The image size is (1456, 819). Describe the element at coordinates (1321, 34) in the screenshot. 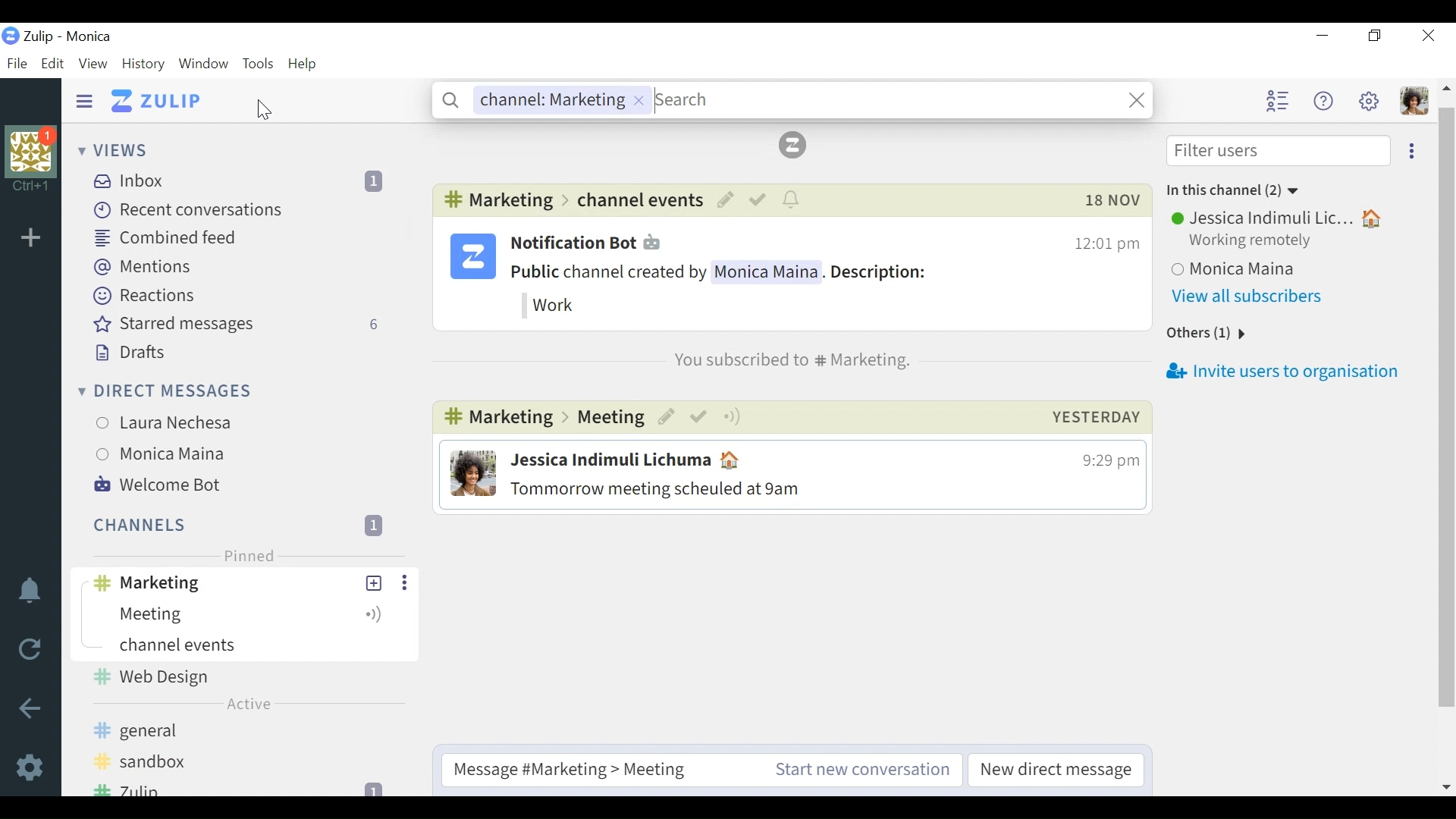

I see `minimize` at that location.